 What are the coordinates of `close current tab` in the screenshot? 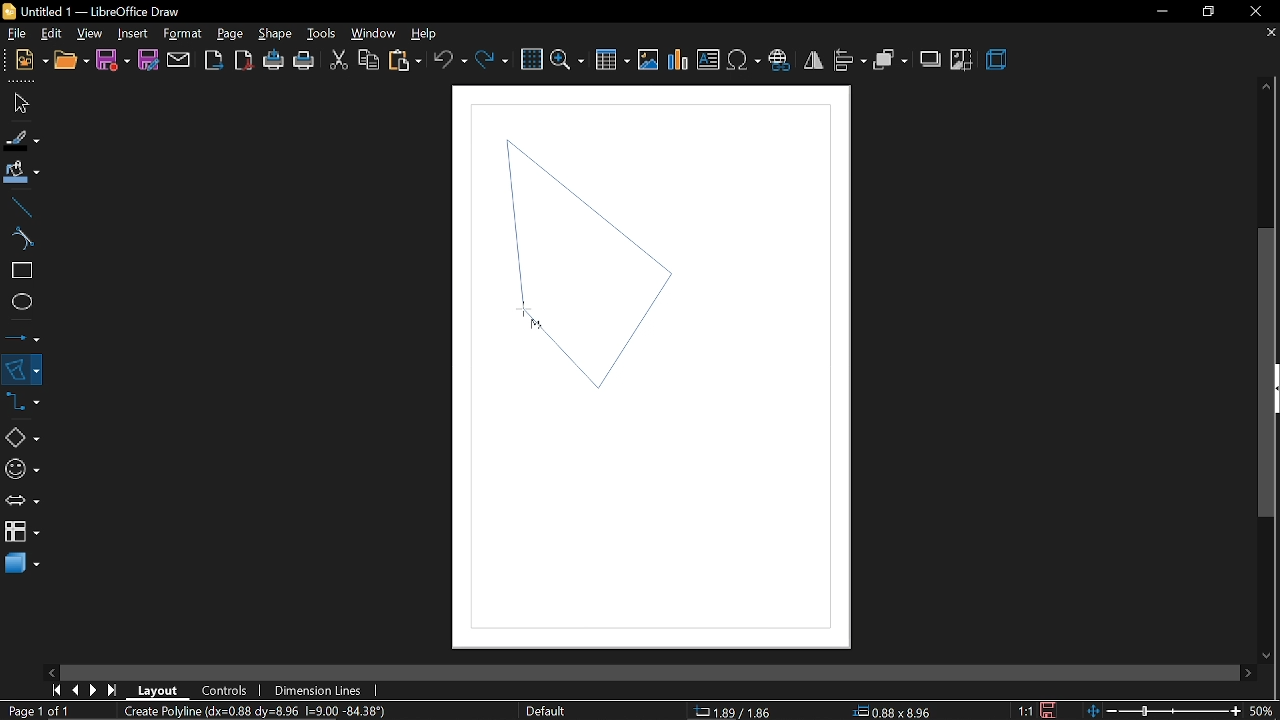 It's located at (1267, 34).